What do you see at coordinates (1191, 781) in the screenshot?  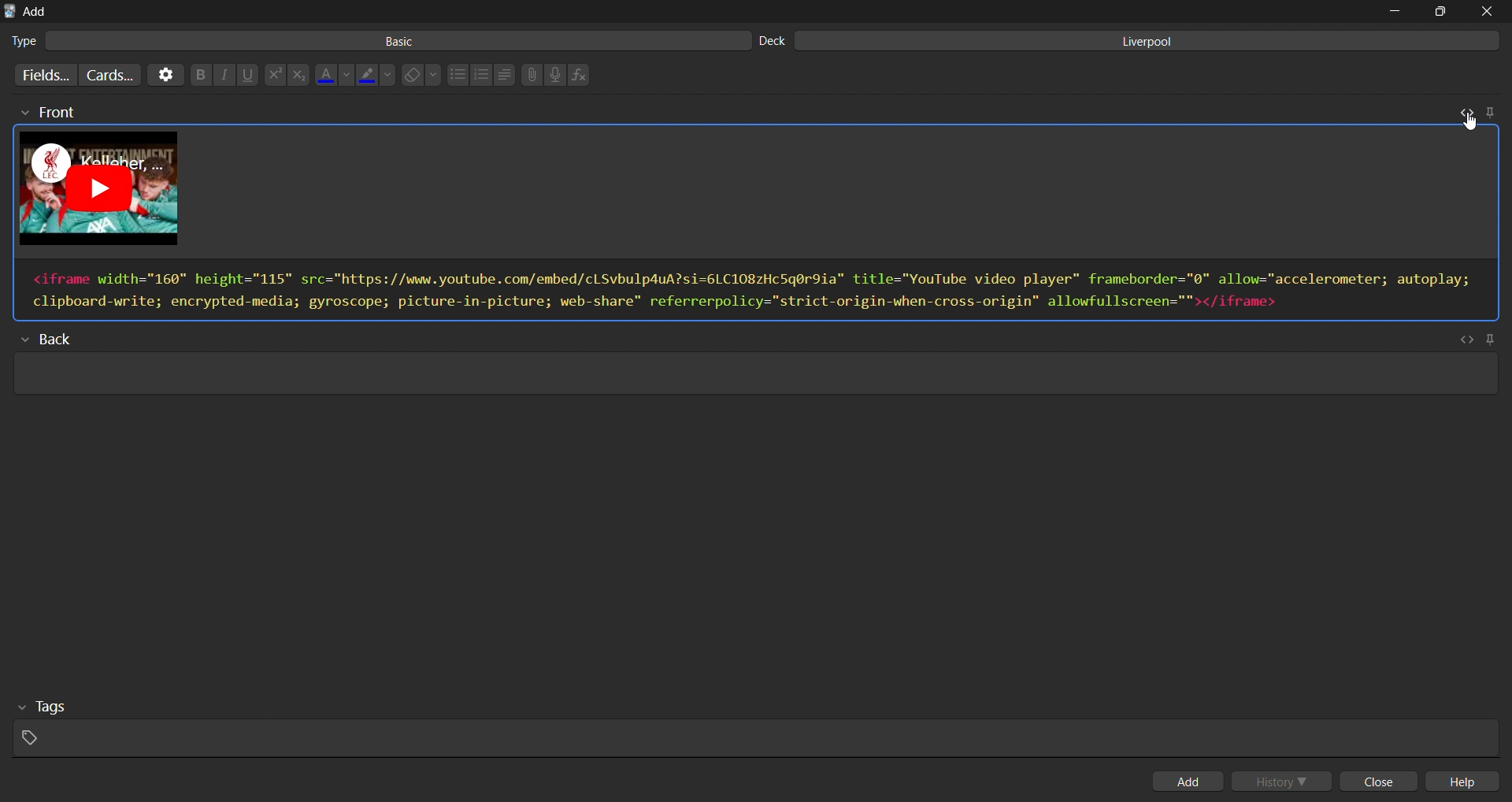 I see `add` at bounding box center [1191, 781].